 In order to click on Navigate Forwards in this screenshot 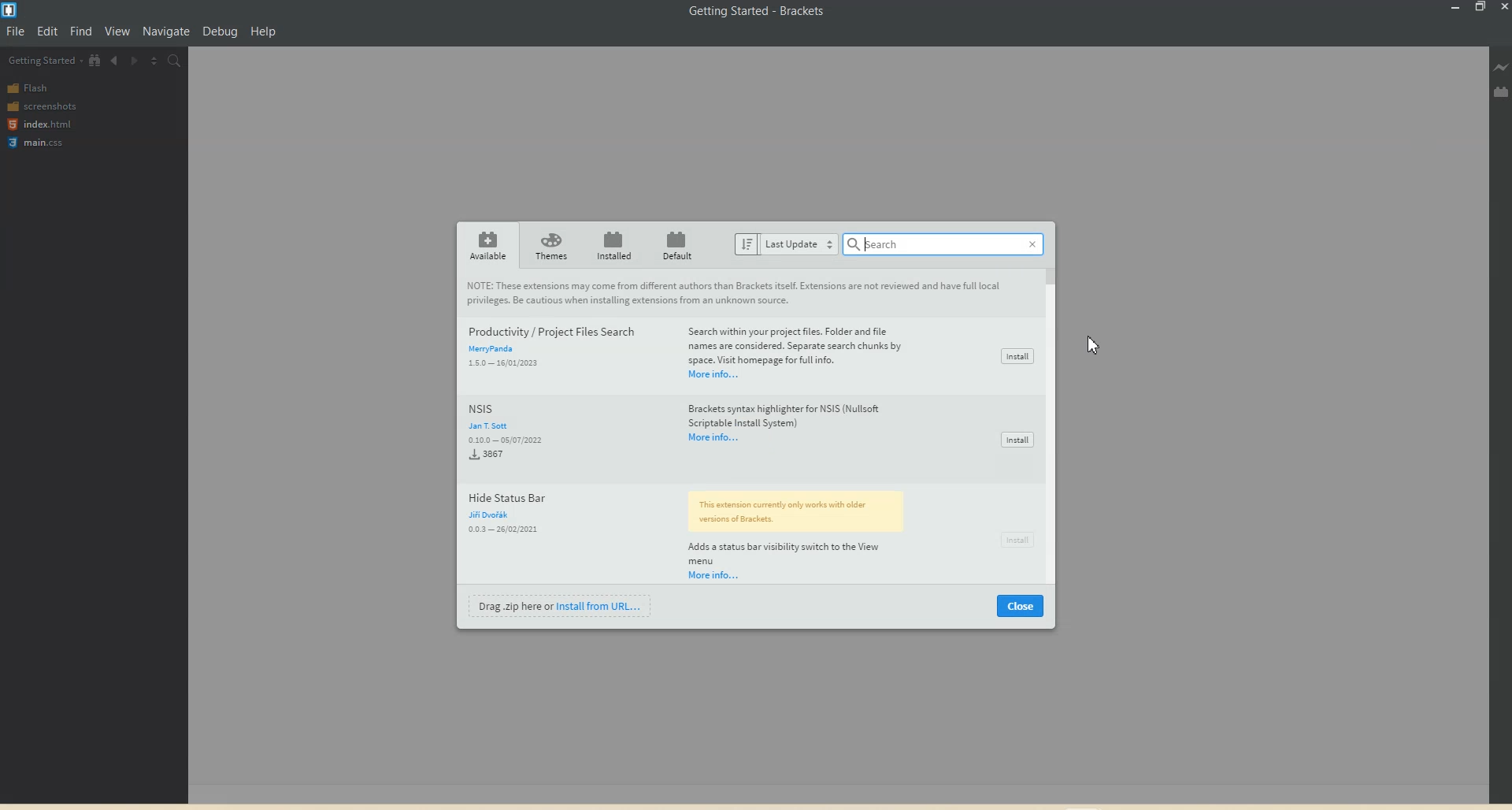, I will do `click(134, 60)`.